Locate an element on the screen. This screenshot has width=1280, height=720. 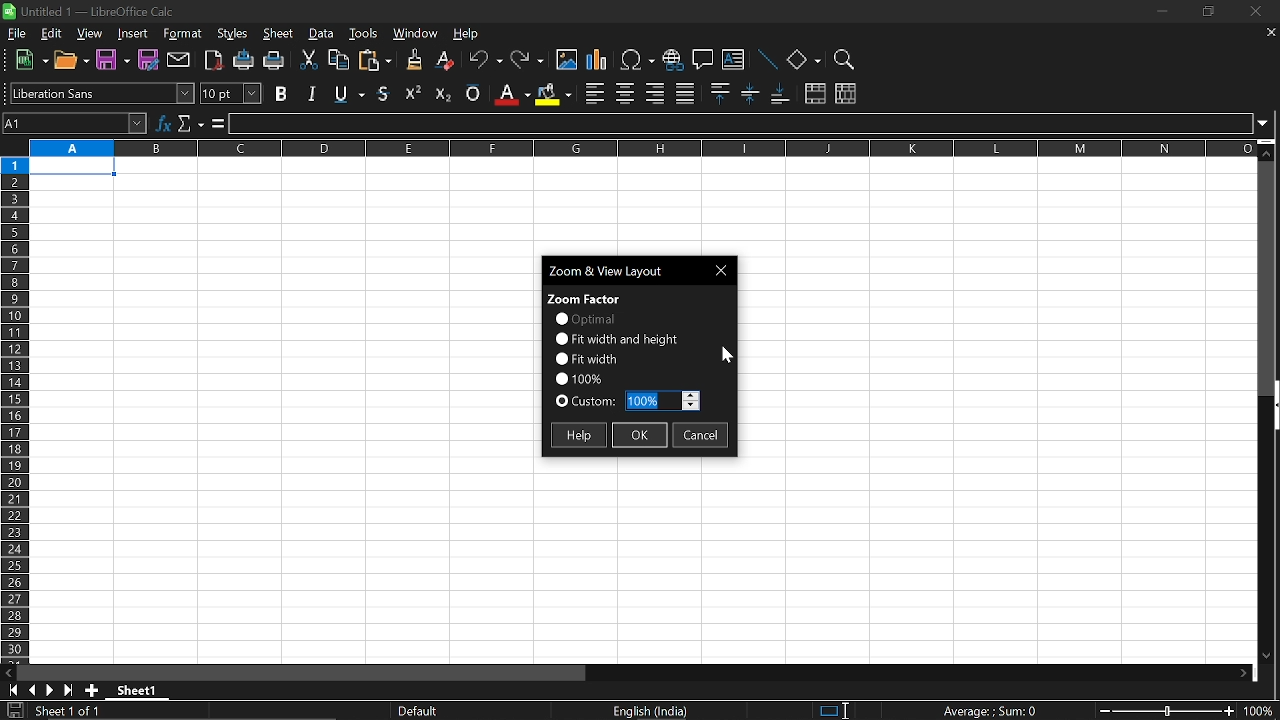
select function is located at coordinates (190, 121).